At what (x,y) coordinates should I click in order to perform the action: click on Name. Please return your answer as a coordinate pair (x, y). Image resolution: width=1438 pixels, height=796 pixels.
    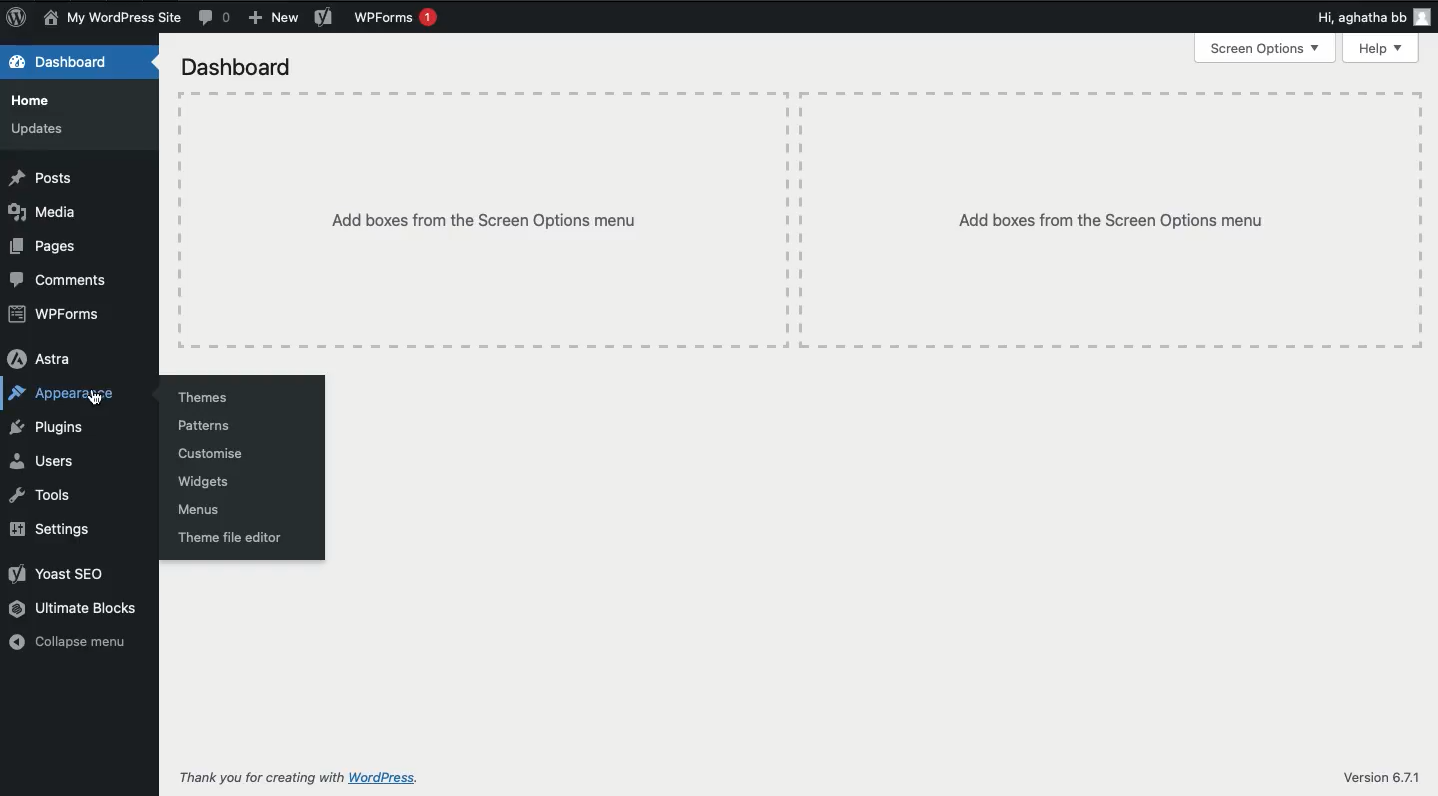
    Looking at the image, I should click on (111, 18).